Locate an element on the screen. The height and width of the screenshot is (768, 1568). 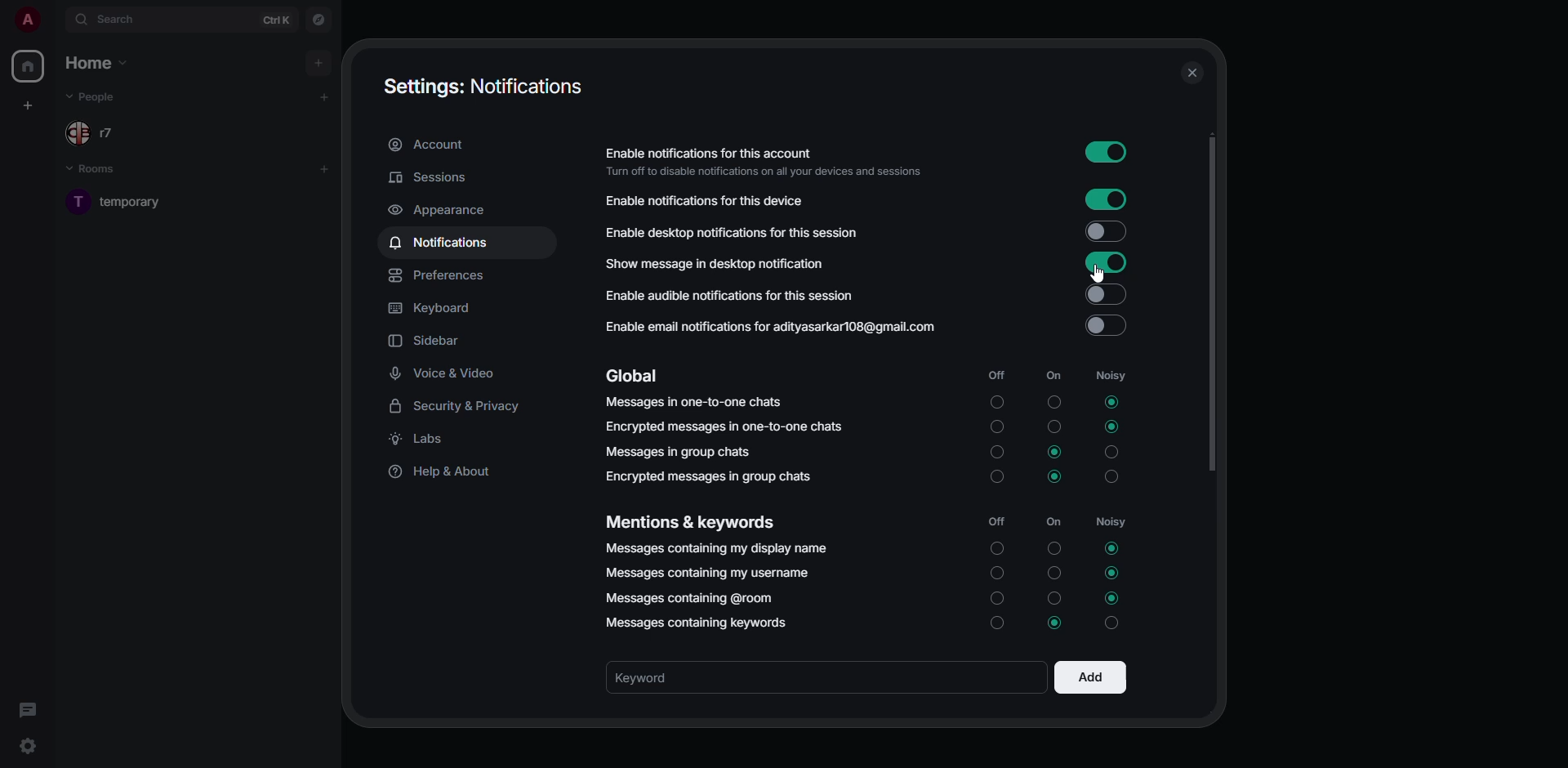
enabled is located at coordinates (1107, 151).